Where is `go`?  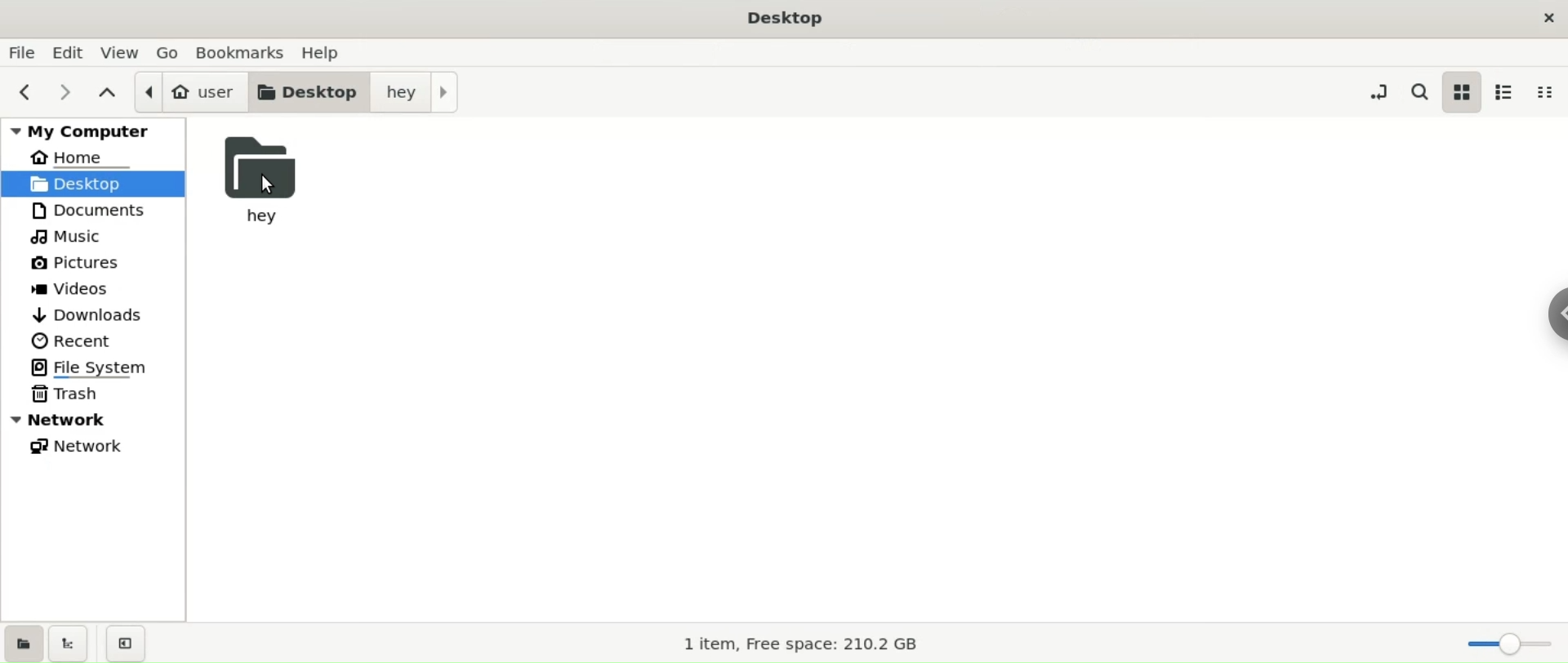
go is located at coordinates (167, 51).